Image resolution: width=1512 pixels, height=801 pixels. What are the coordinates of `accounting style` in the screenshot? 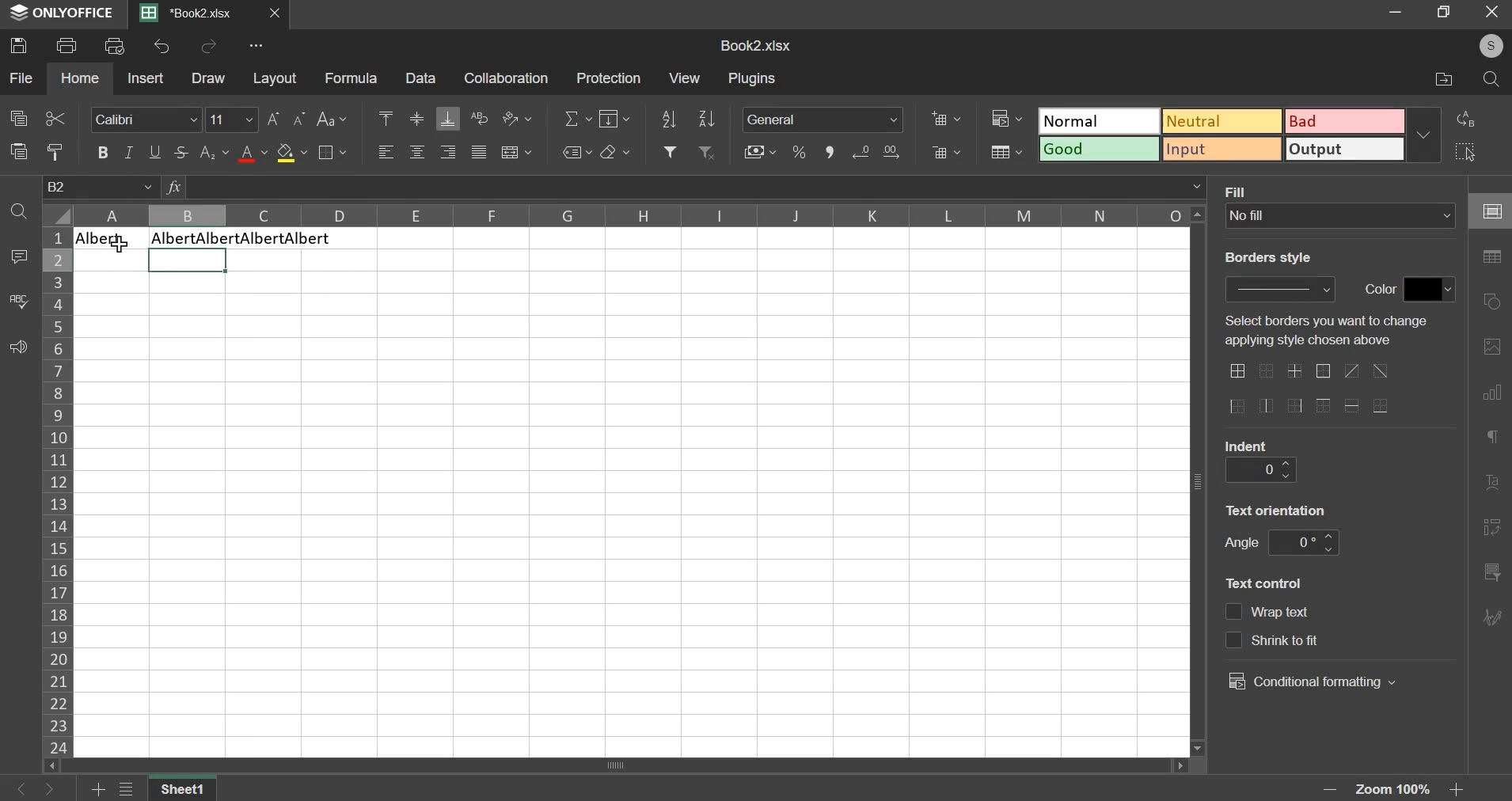 It's located at (759, 150).